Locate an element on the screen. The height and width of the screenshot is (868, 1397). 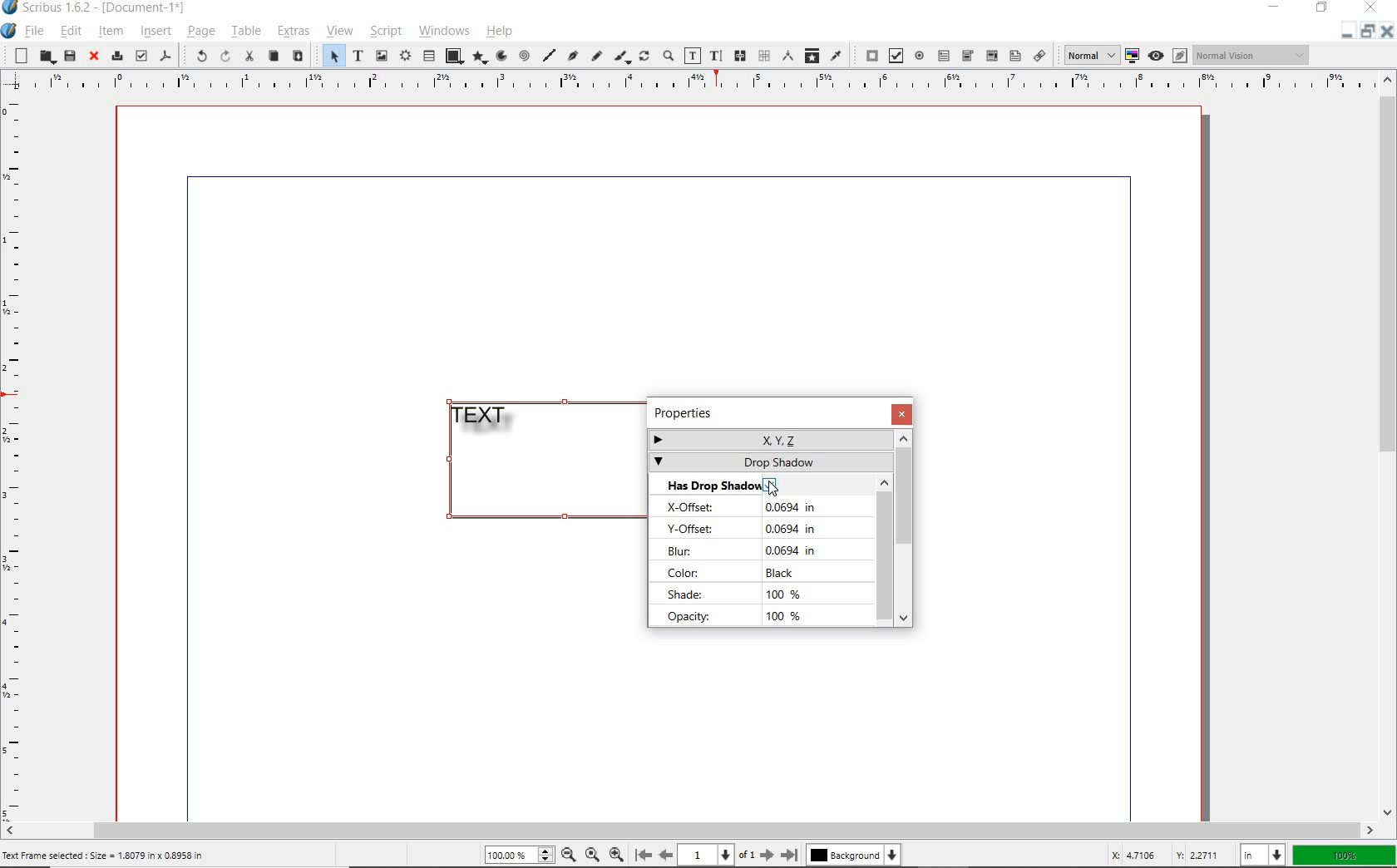
scrollbar is located at coordinates (884, 550).